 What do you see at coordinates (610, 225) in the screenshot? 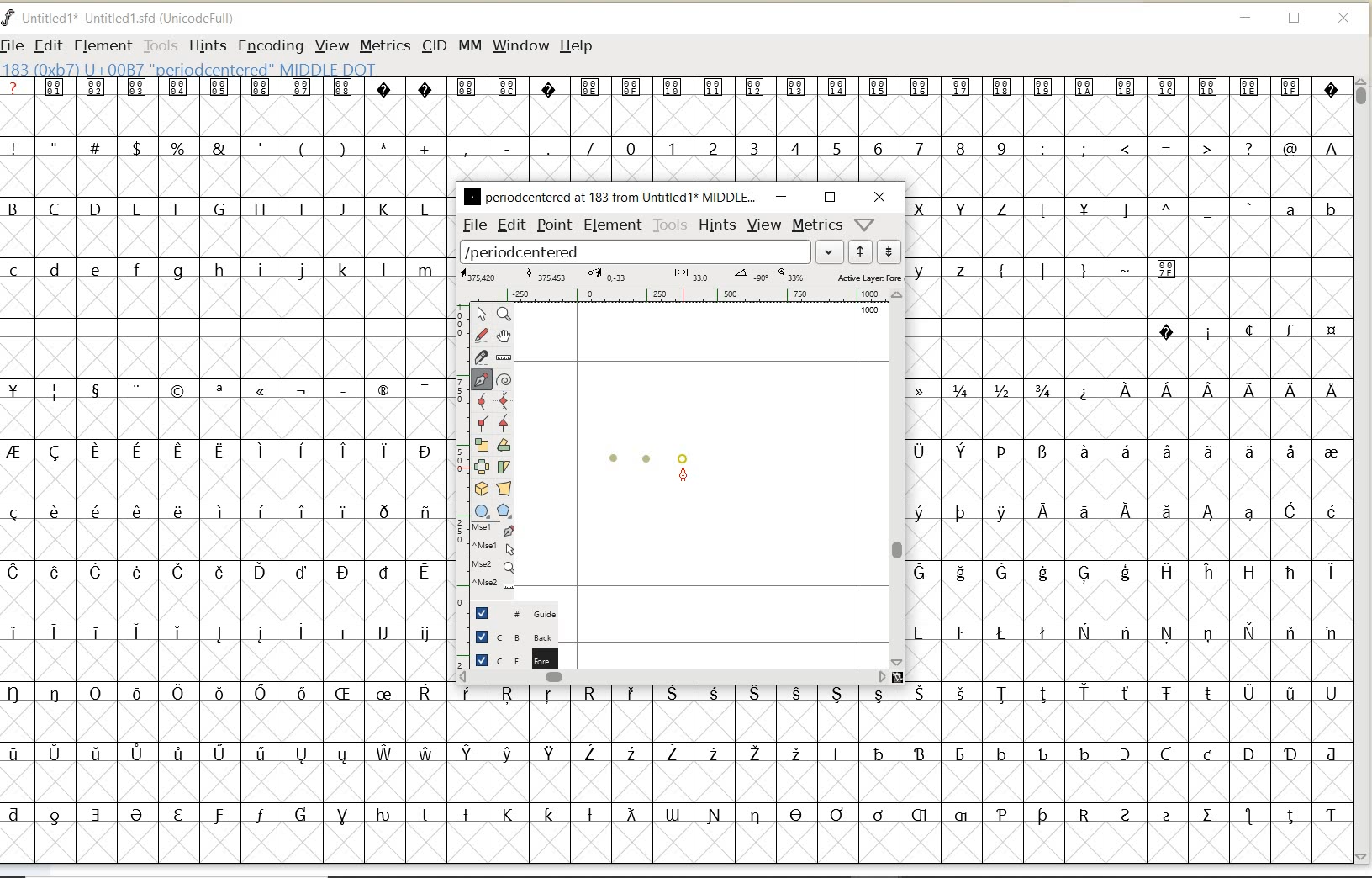
I see `element` at bounding box center [610, 225].